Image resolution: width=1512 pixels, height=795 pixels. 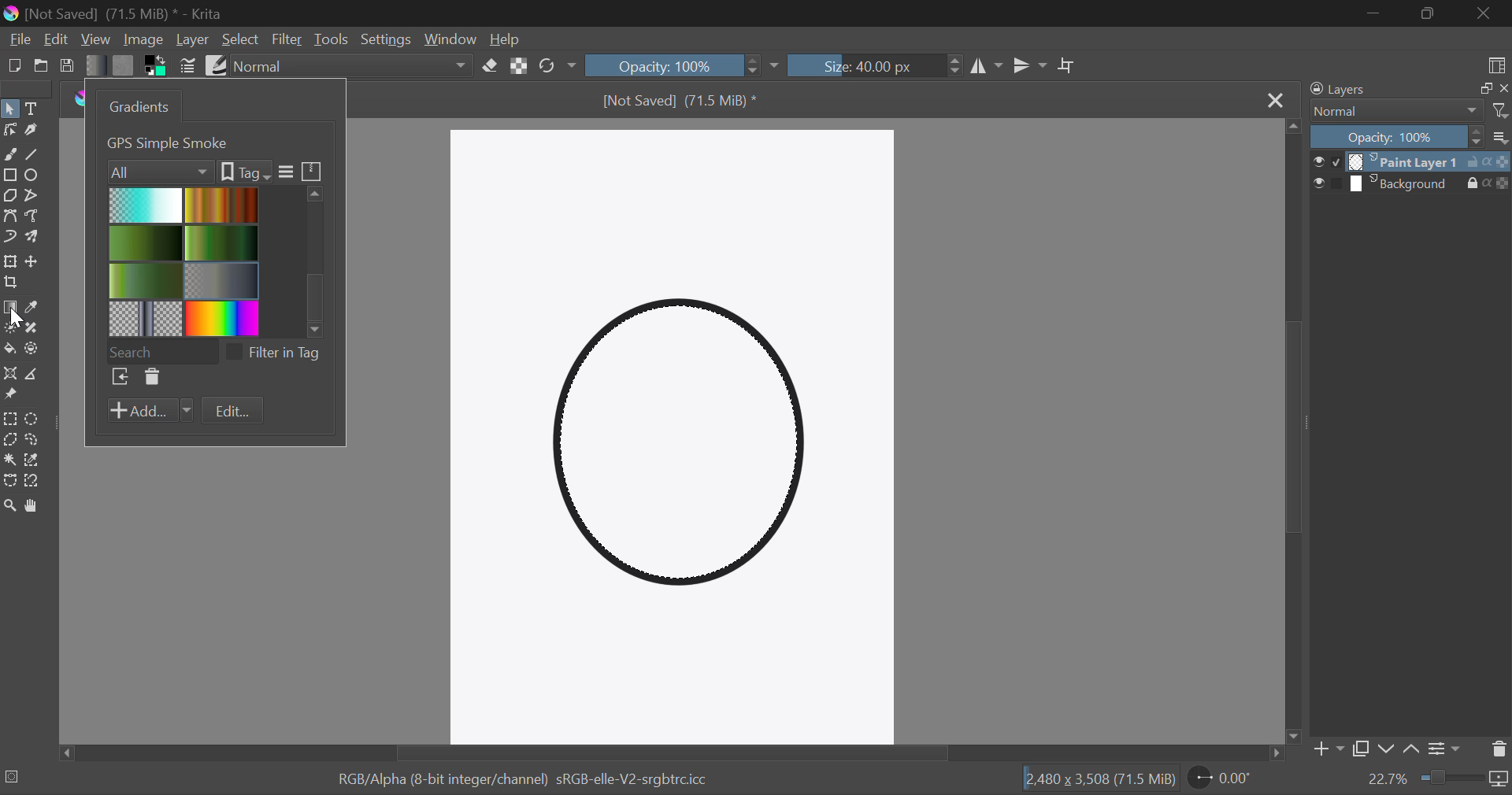 What do you see at coordinates (1447, 749) in the screenshot?
I see `Settings` at bounding box center [1447, 749].